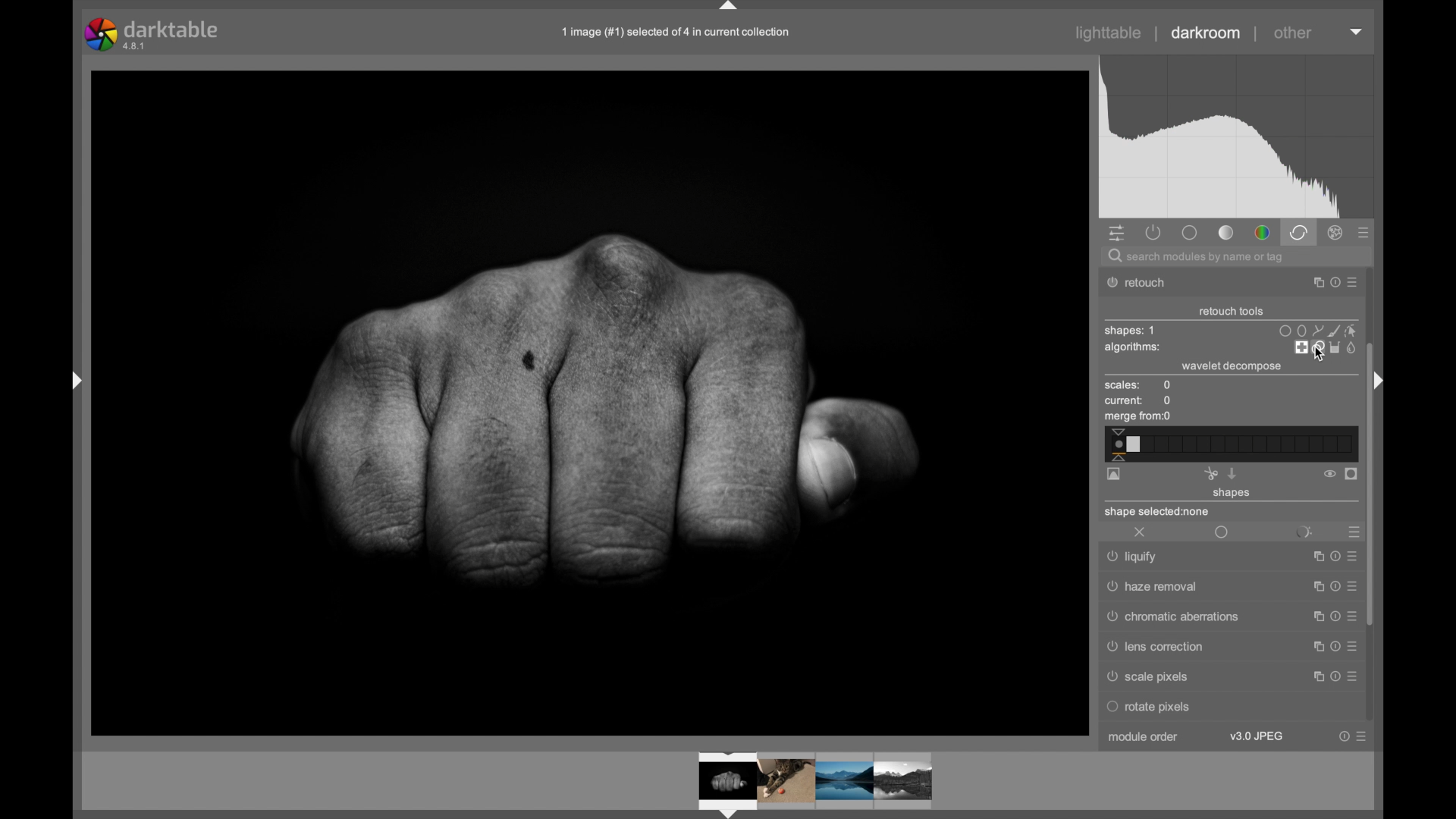 Image resolution: width=1456 pixels, height=819 pixels. What do you see at coordinates (1329, 474) in the screenshot?
I see `switch off mask` at bounding box center [1329, 474].